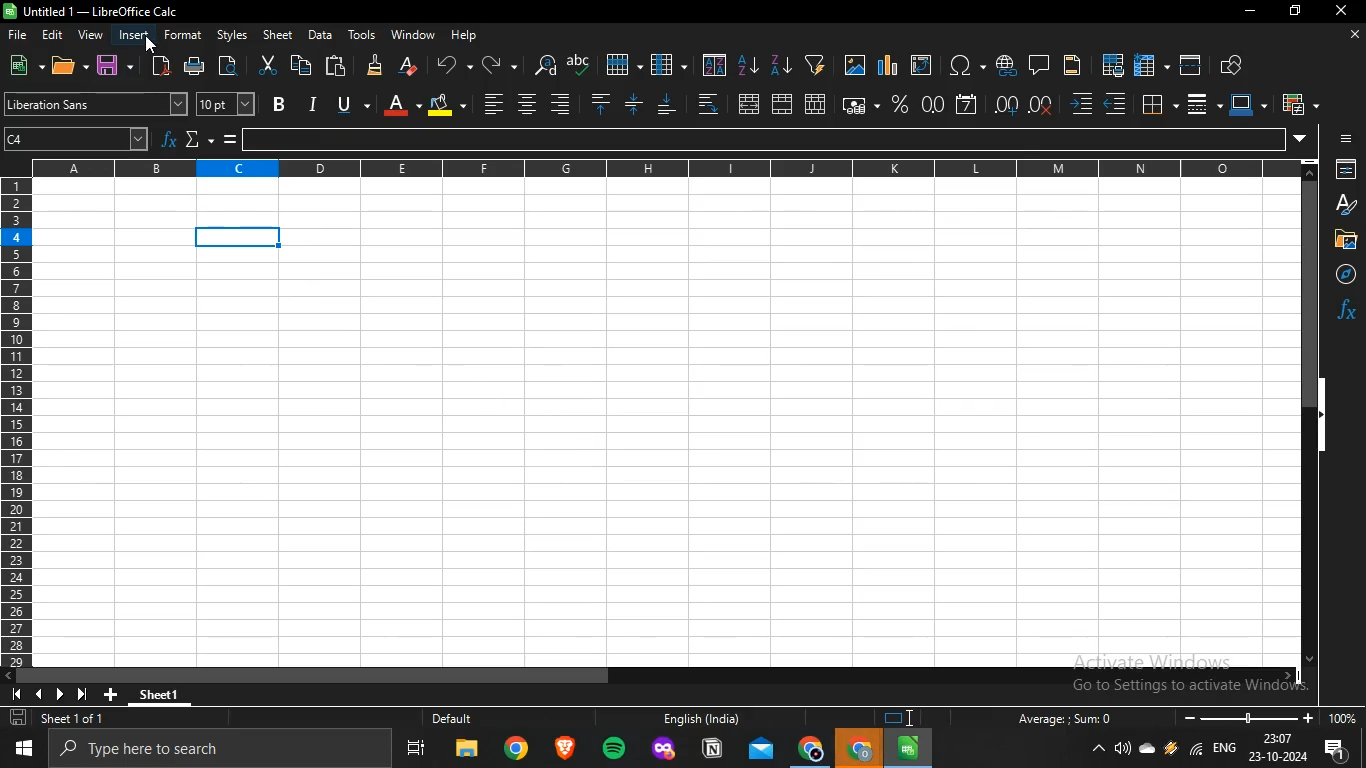 Image resolution: width=1366 pixels, height=768 pixels. Describe the element at coordinates (811, 750) in the screenshot. I see `google chrome` at that location.